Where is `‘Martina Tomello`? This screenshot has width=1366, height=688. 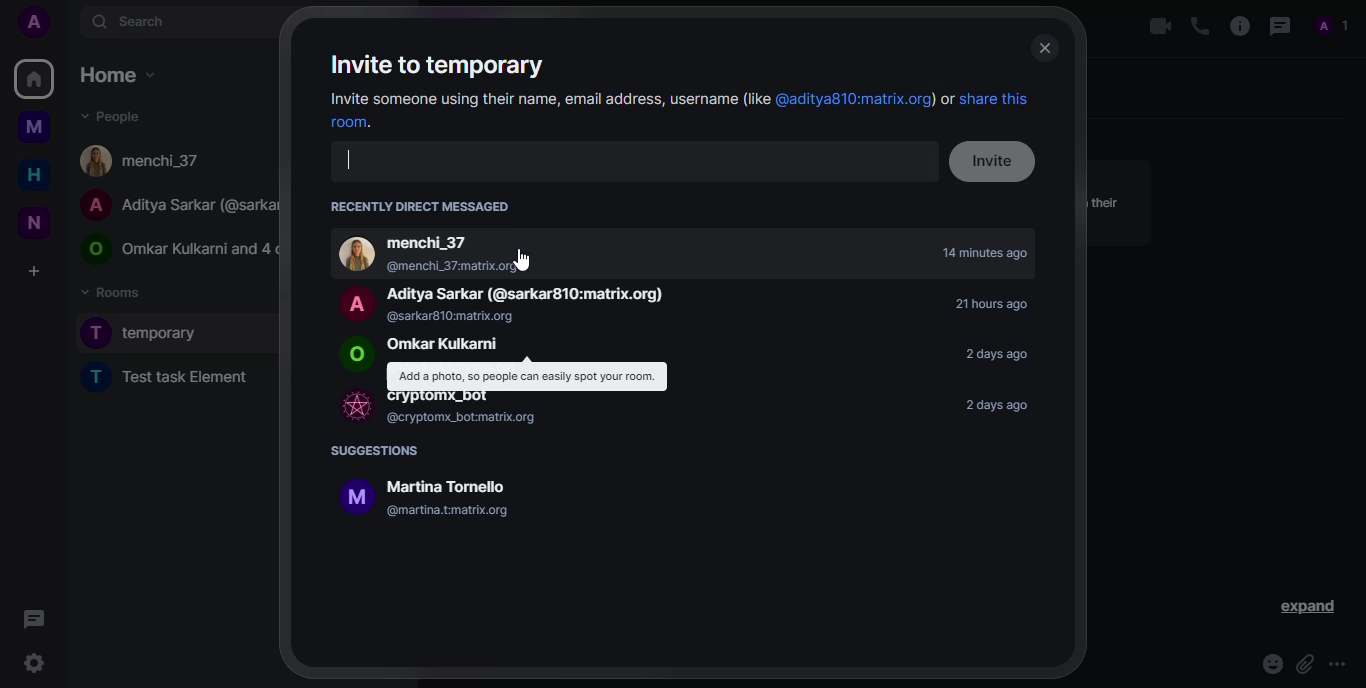
‘Martina Tomello is located at coordinates (444, 486).